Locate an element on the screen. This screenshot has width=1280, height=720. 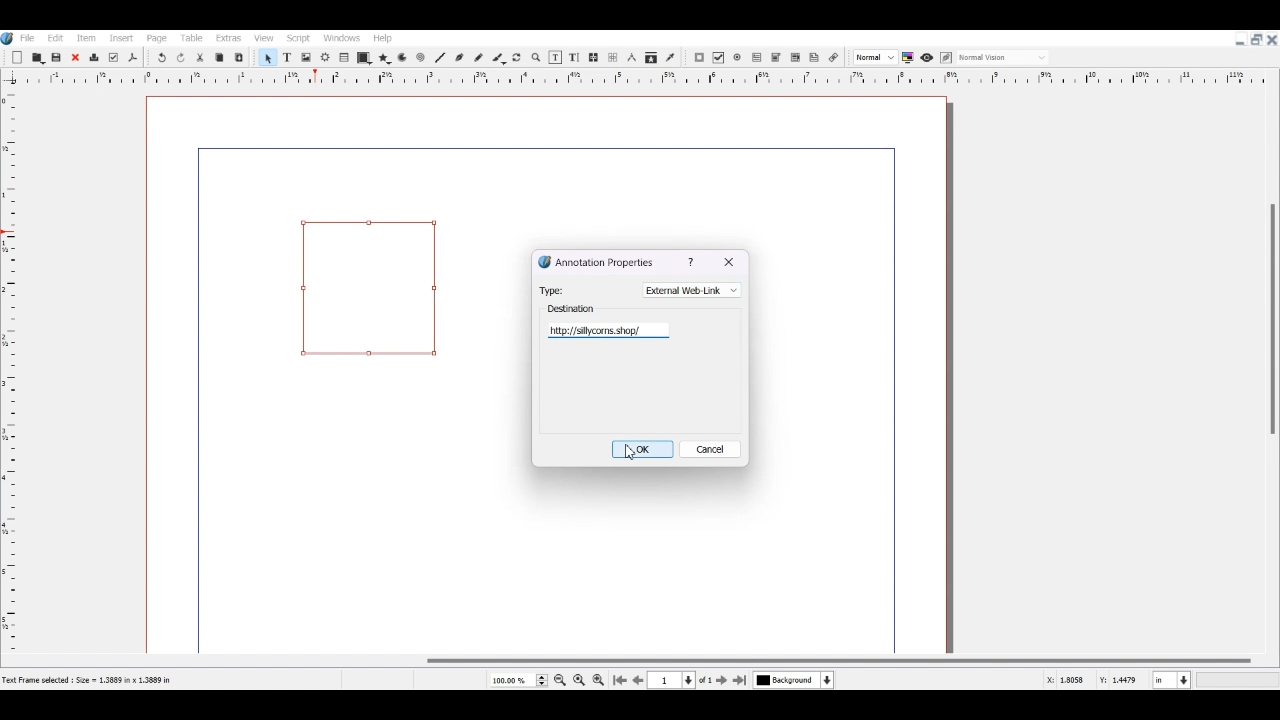
Save as PDF is located at coordinates (133, 58).